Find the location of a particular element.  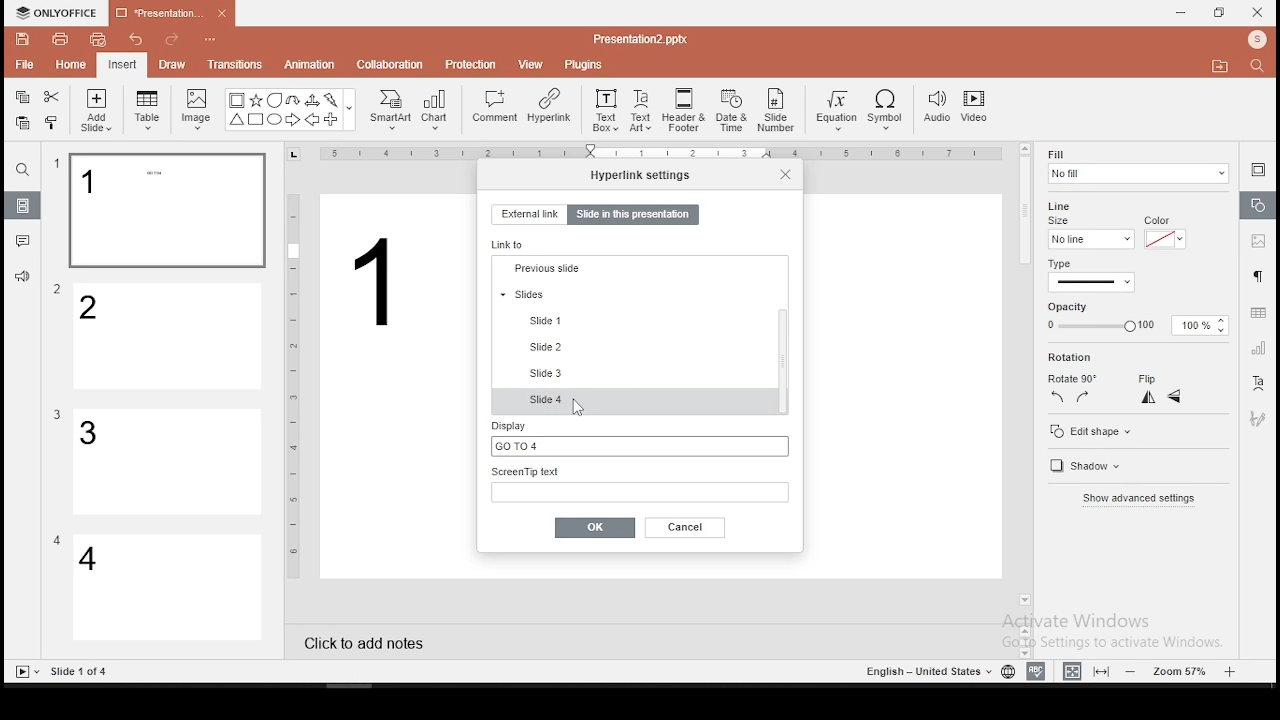

Bordered Box is located at coordinates (237, 100).